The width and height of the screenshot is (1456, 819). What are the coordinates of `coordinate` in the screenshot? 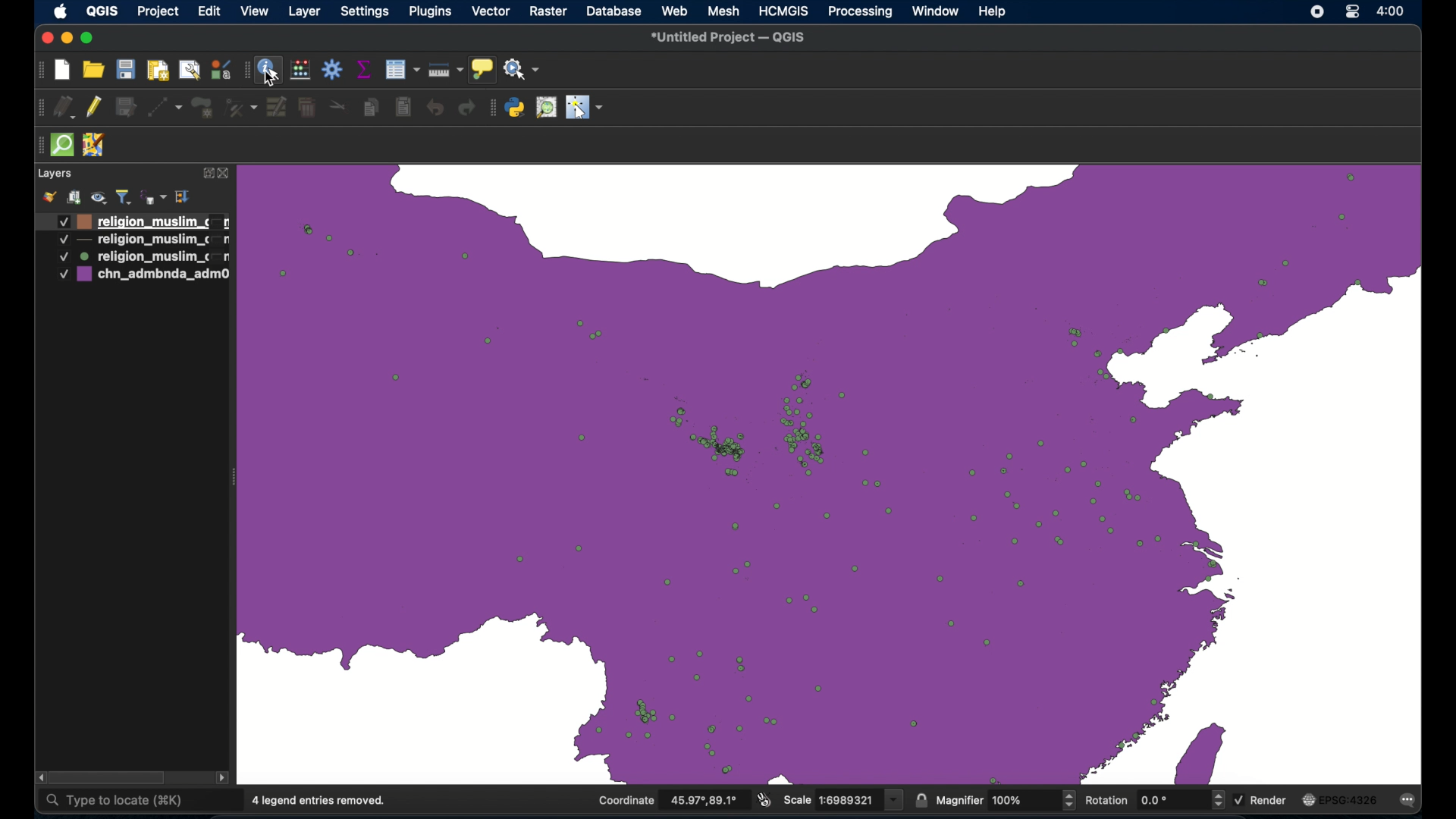 It's located at (669, 801).